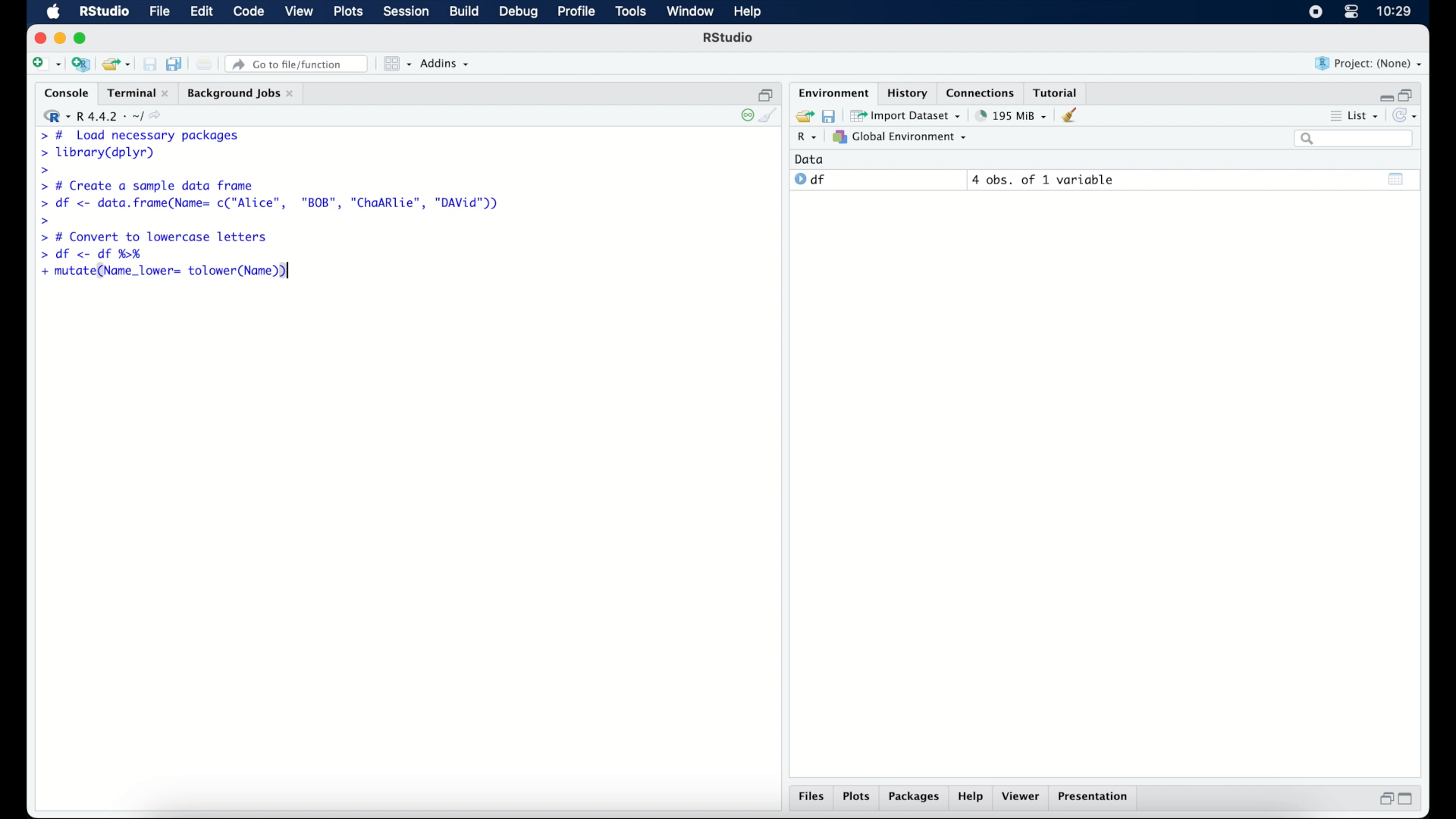  Describe the element at coordinates (1410, 799) in the screenshot. I see `maximize` at that location.